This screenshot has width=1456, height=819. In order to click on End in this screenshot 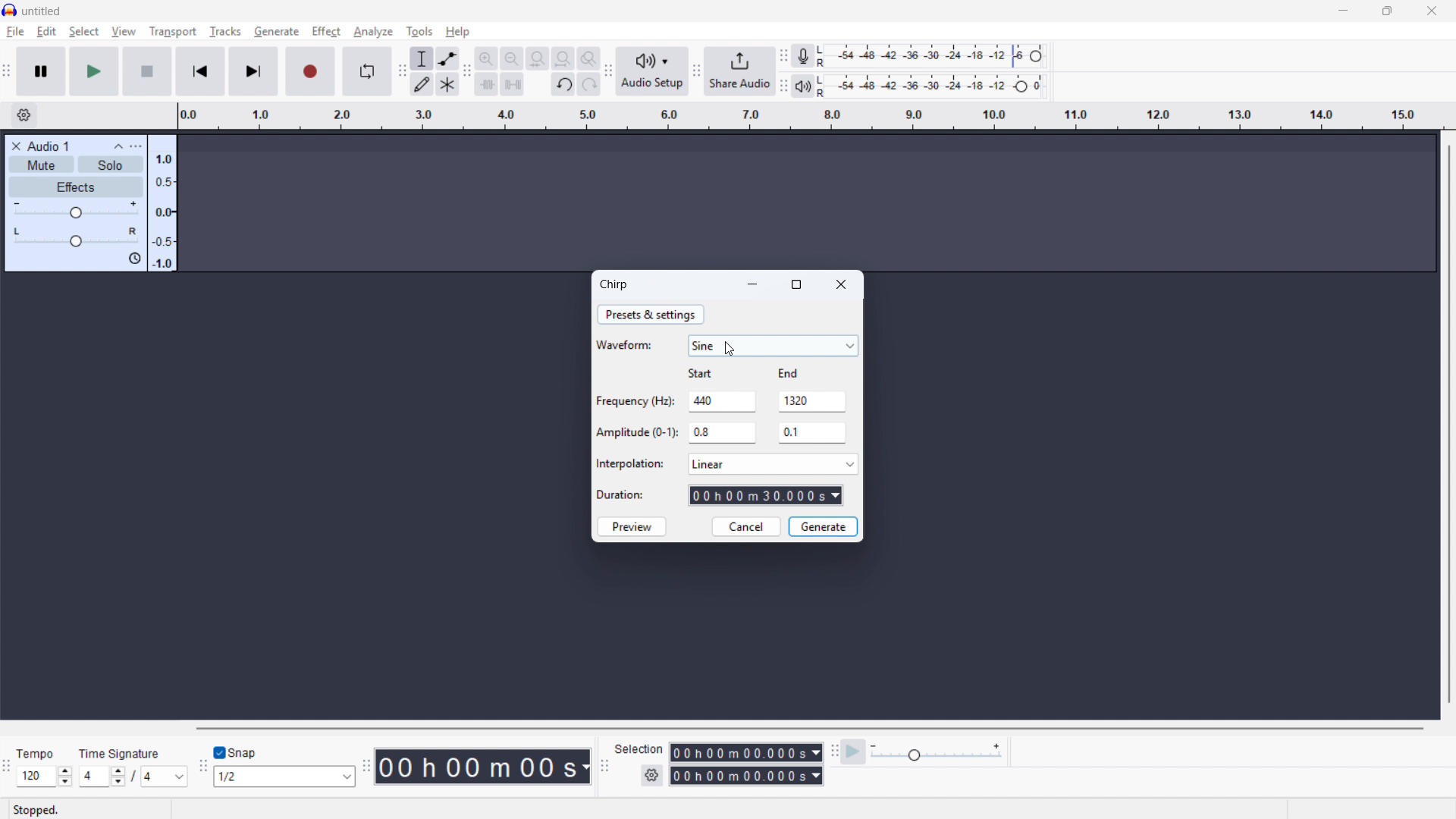, I will do `click(786, 373)`.